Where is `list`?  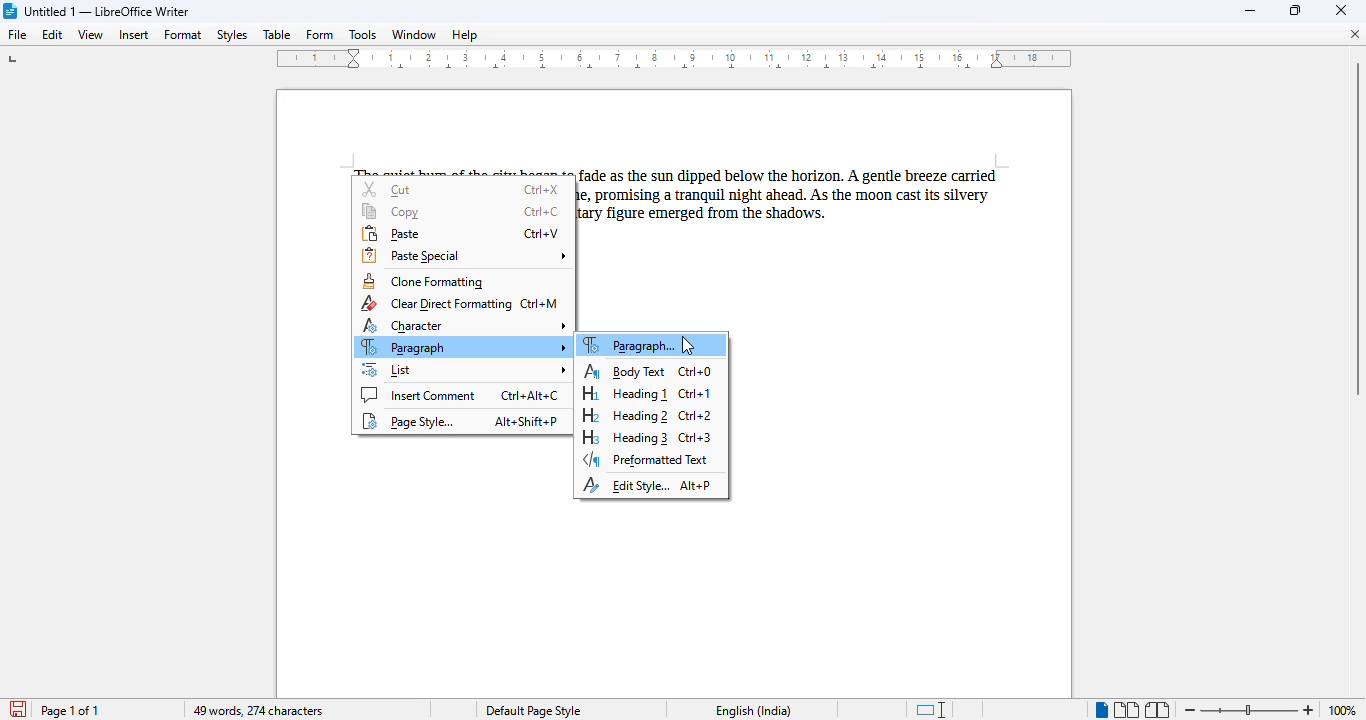 list is located at coordinates (464, 369).